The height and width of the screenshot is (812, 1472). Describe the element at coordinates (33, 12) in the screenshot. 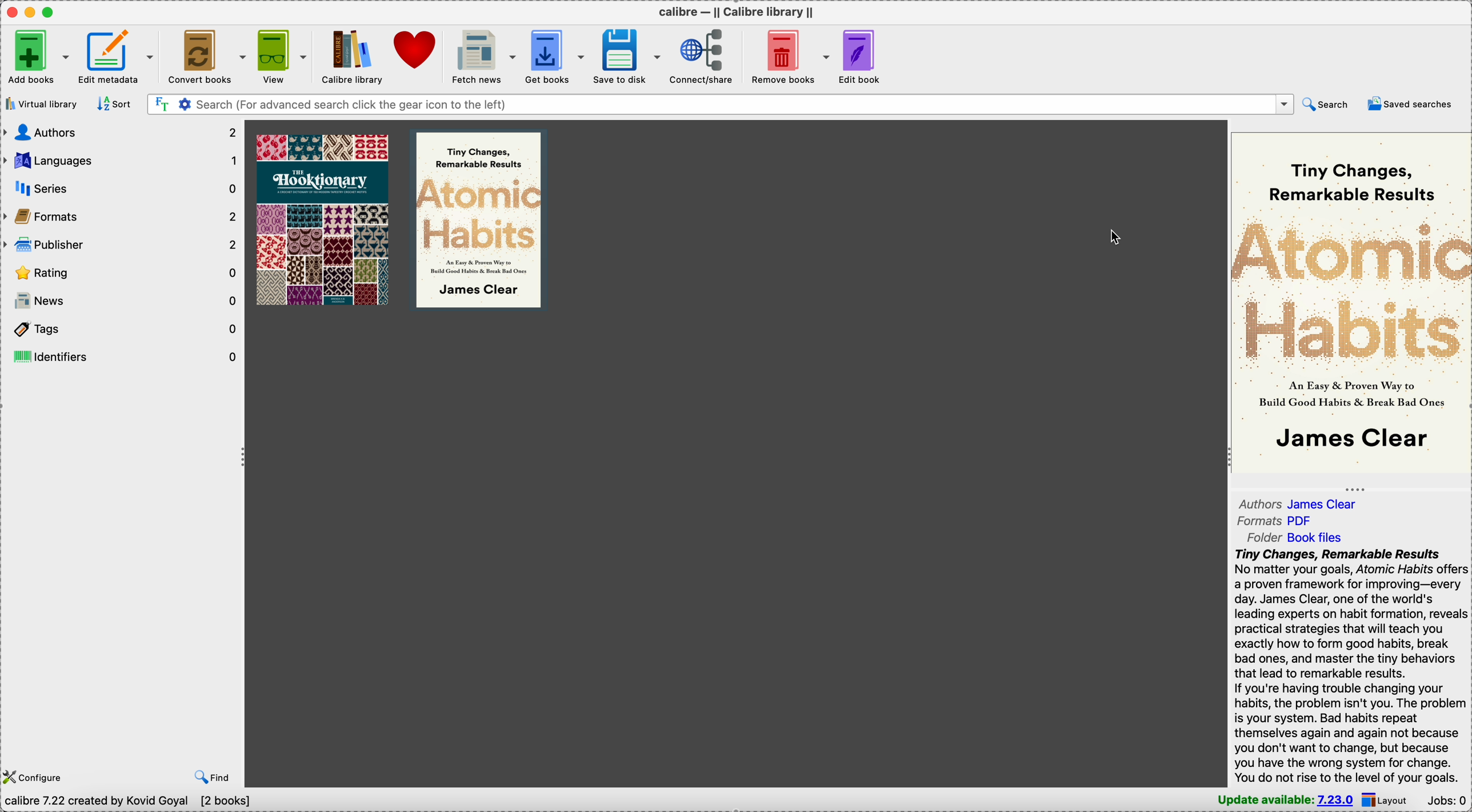

I see `minimize` at that location.